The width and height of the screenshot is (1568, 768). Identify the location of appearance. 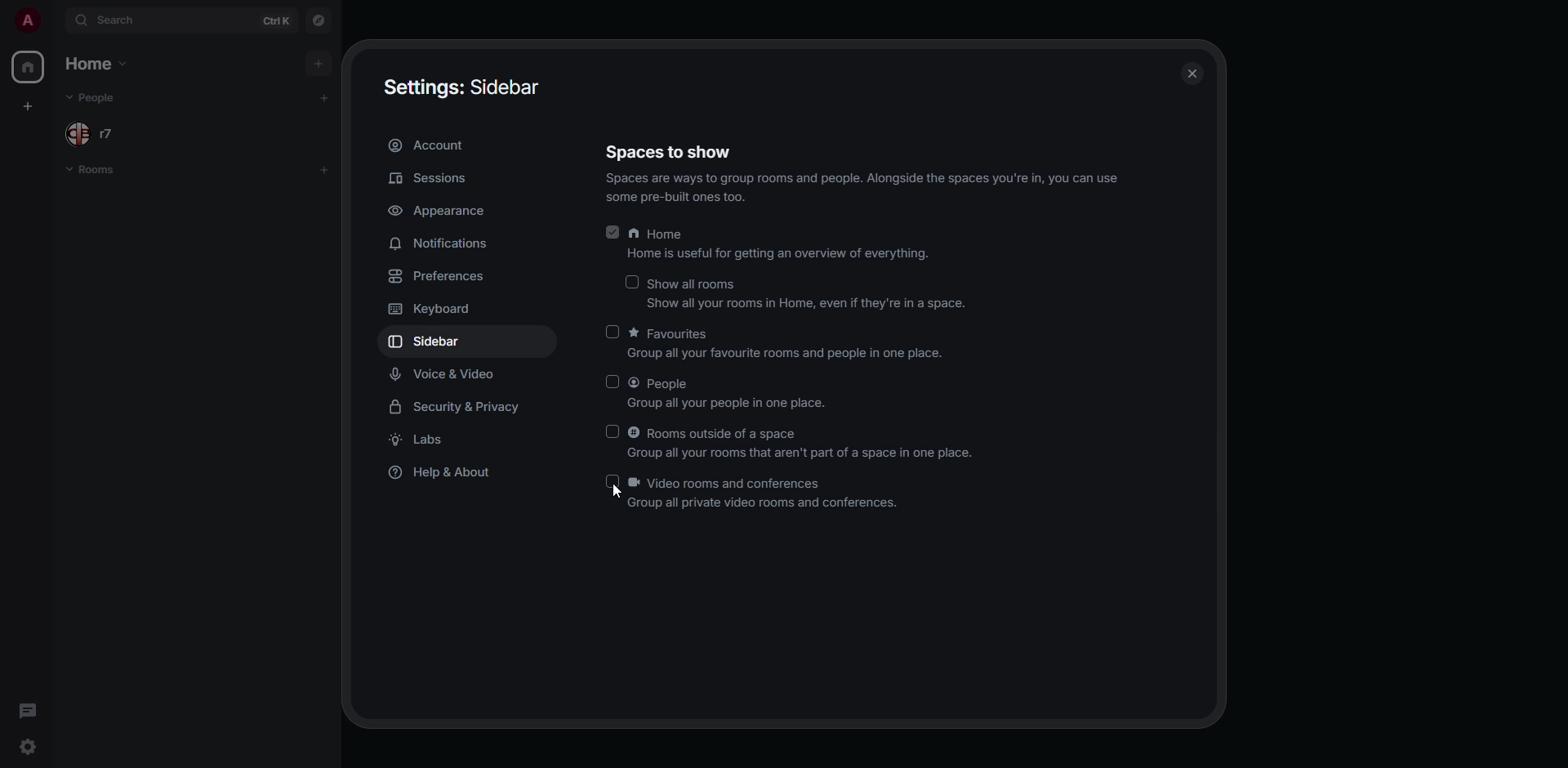
(439, 212).